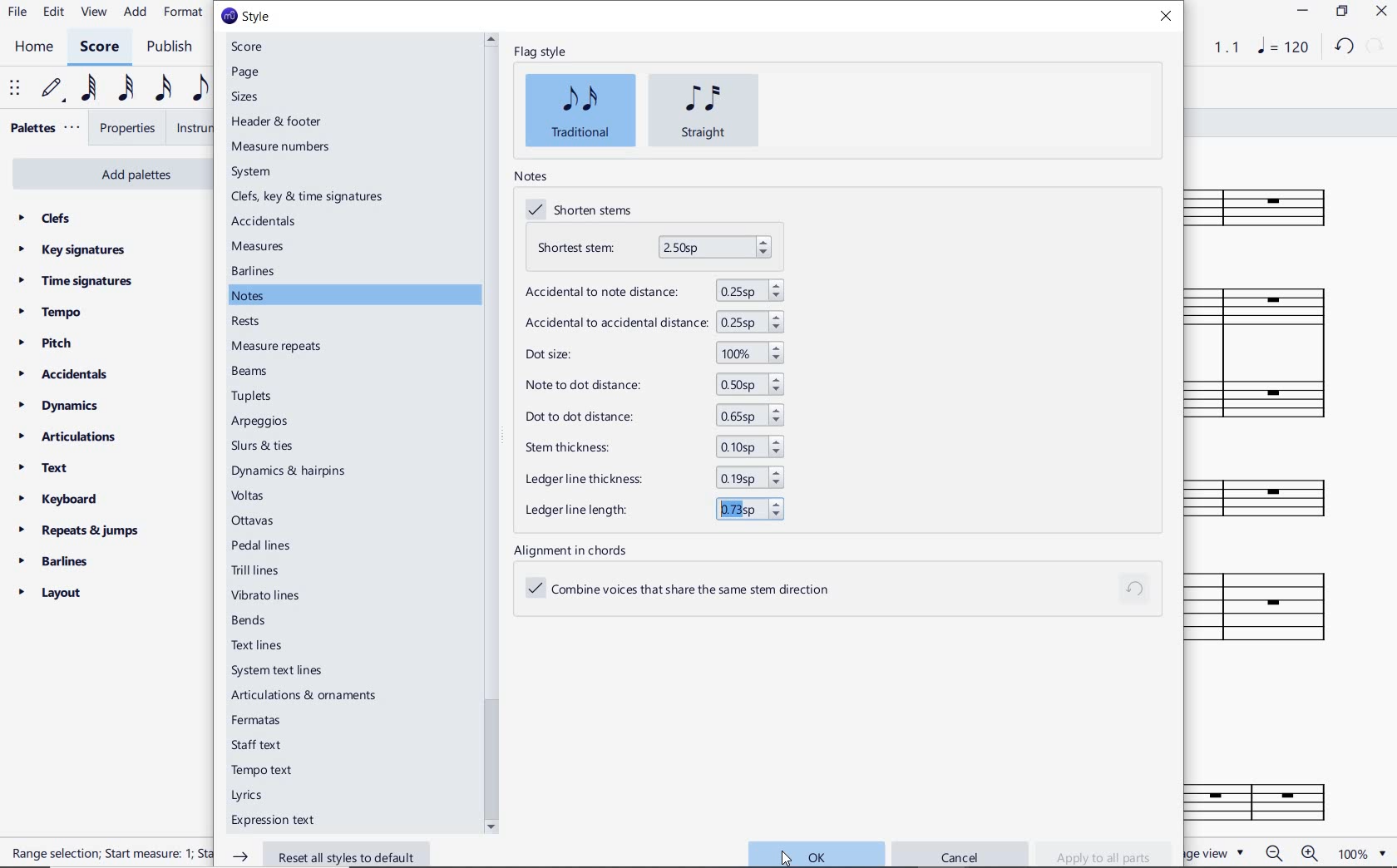  Describe the element at coordinates (64, 374) in the screenshot. I see `accidentals` at that location.